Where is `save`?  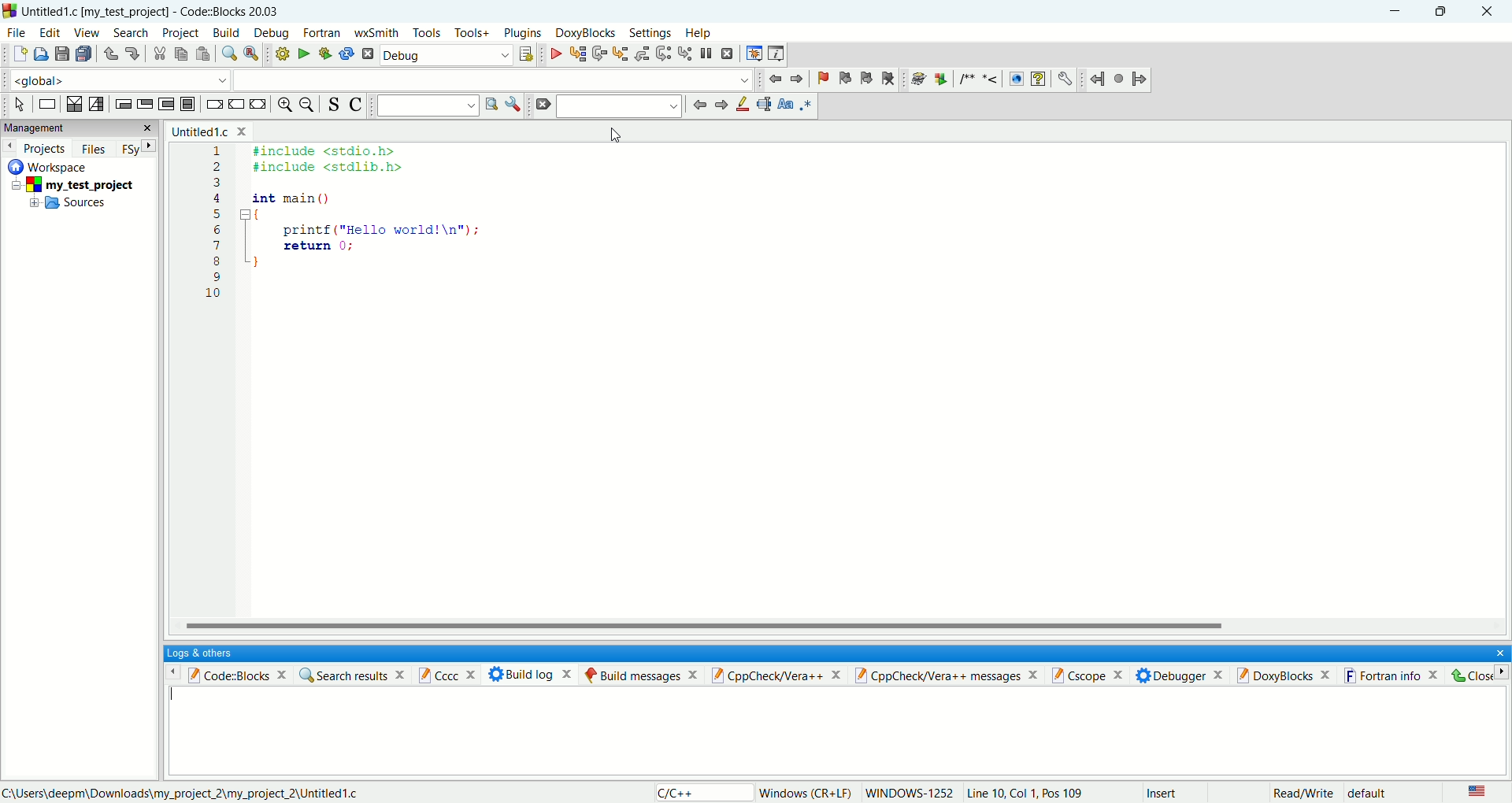
save is located at coordinates (62, 54).